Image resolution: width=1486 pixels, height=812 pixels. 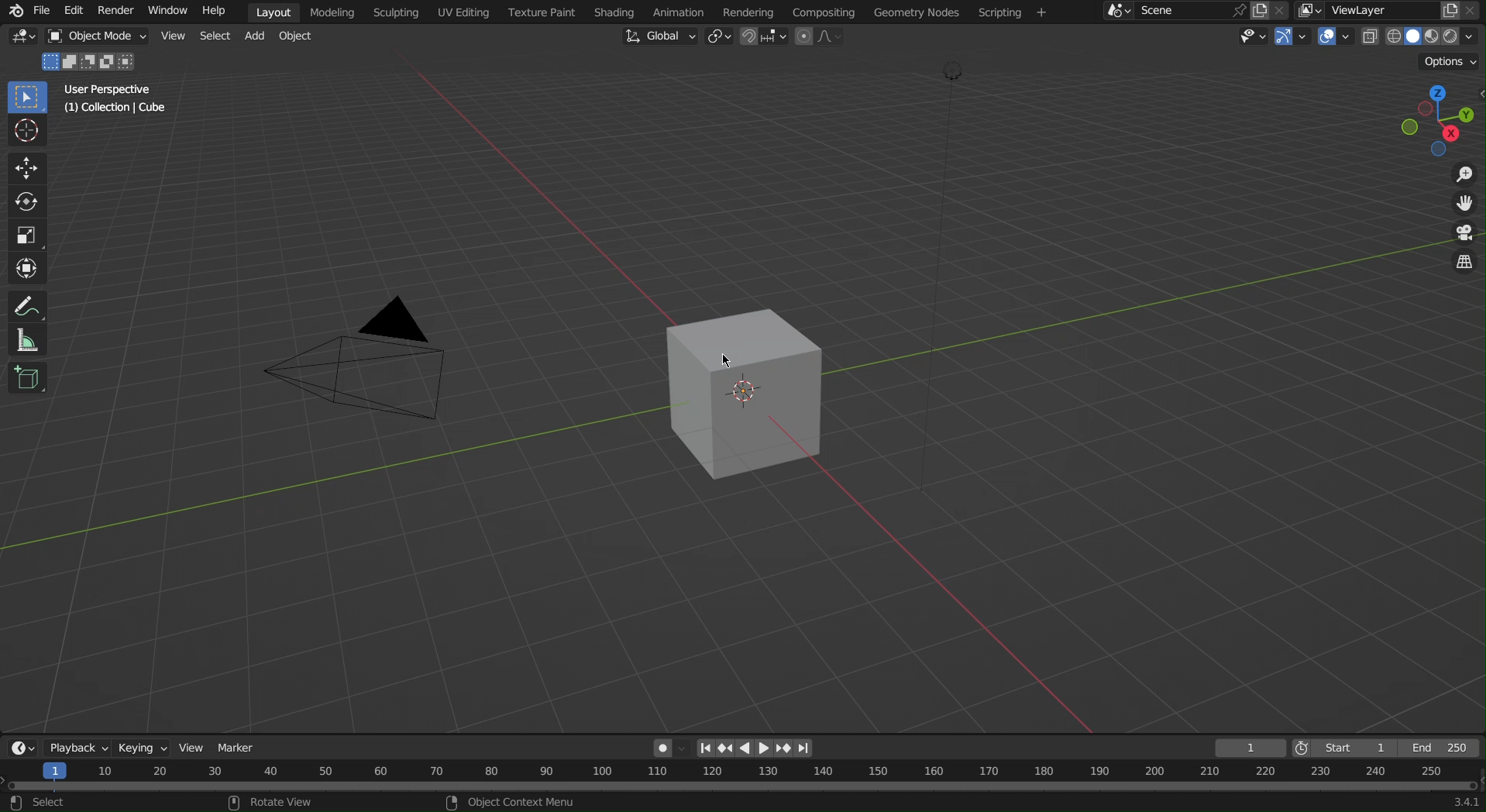 What do you see at coordinates (1191, 11) in the screenshot?
I see `Scene` at bounding box center [1191, 11].